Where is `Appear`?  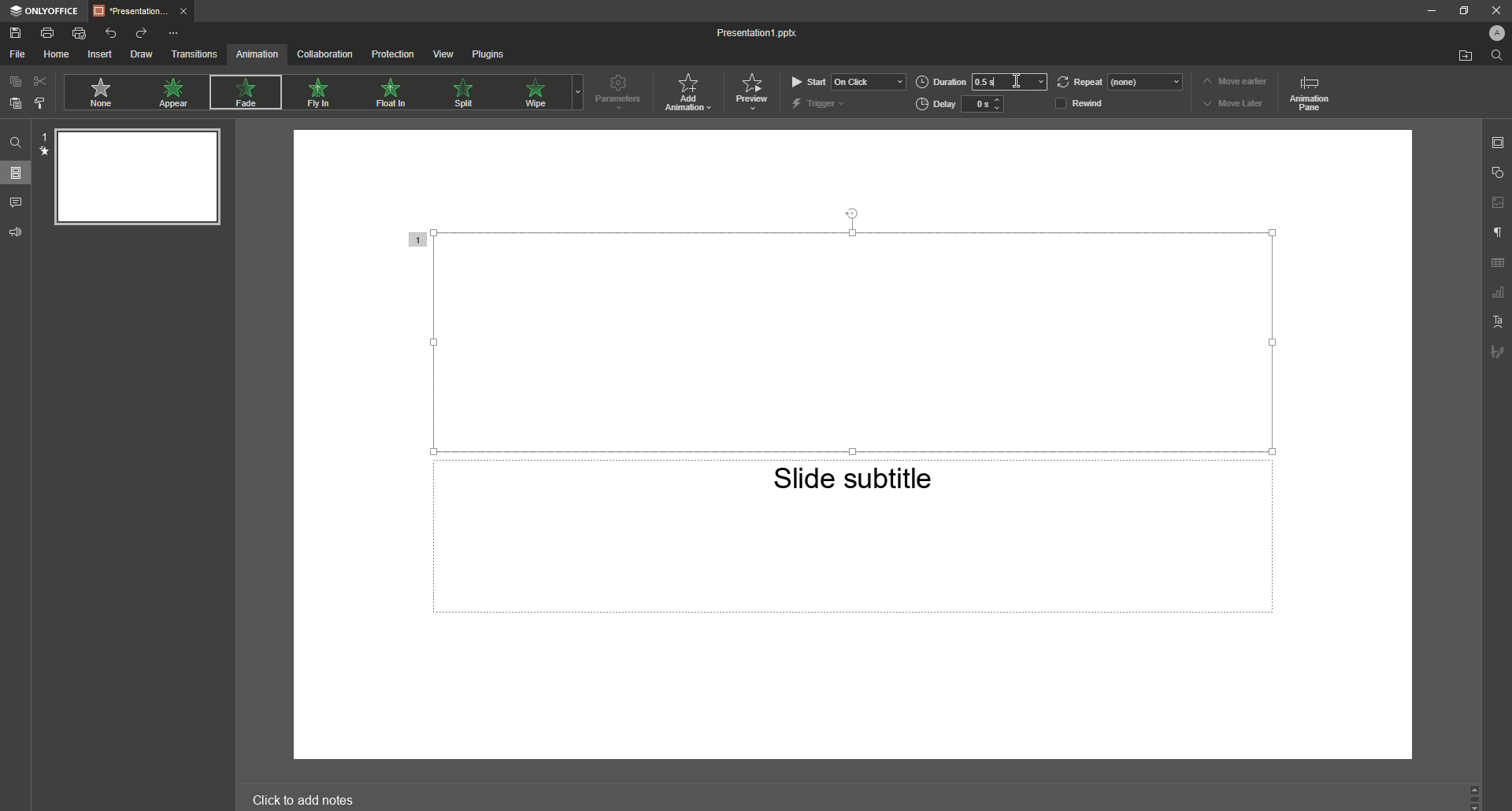
Appear is located at coordinates (175, 94).